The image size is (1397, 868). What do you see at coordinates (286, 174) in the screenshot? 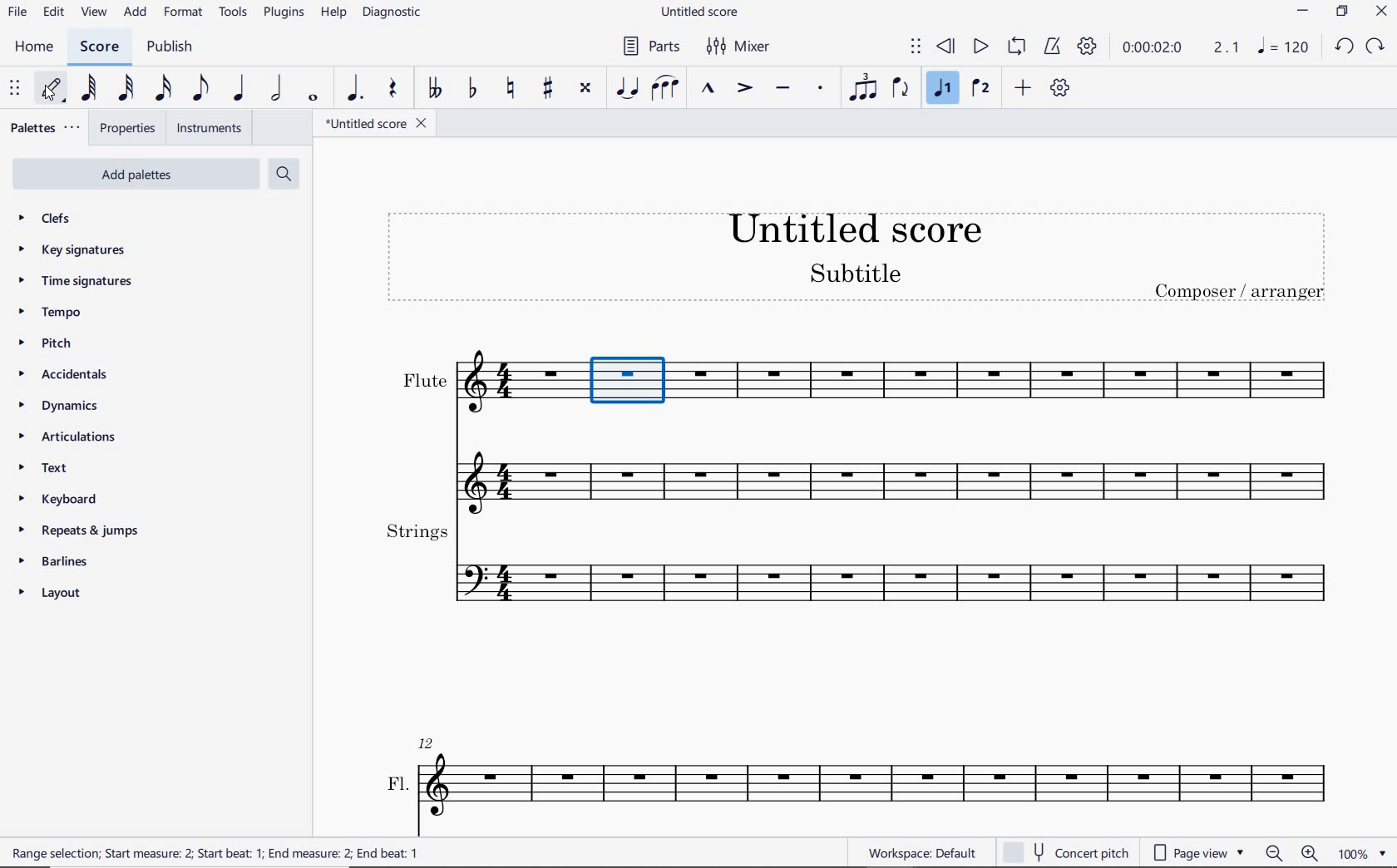
I see `search palettes` at bounding box center [286, 174].